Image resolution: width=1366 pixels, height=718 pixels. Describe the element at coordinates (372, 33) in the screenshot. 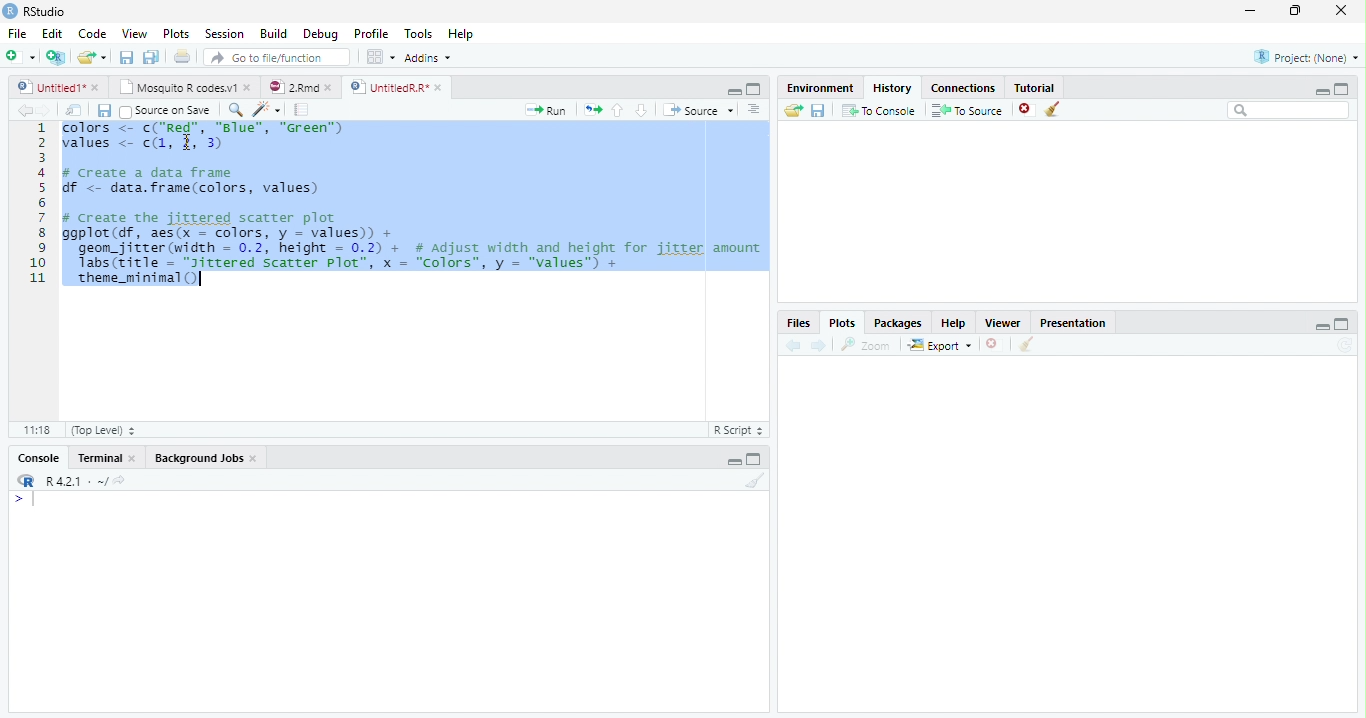

I see `Profile` at that location.